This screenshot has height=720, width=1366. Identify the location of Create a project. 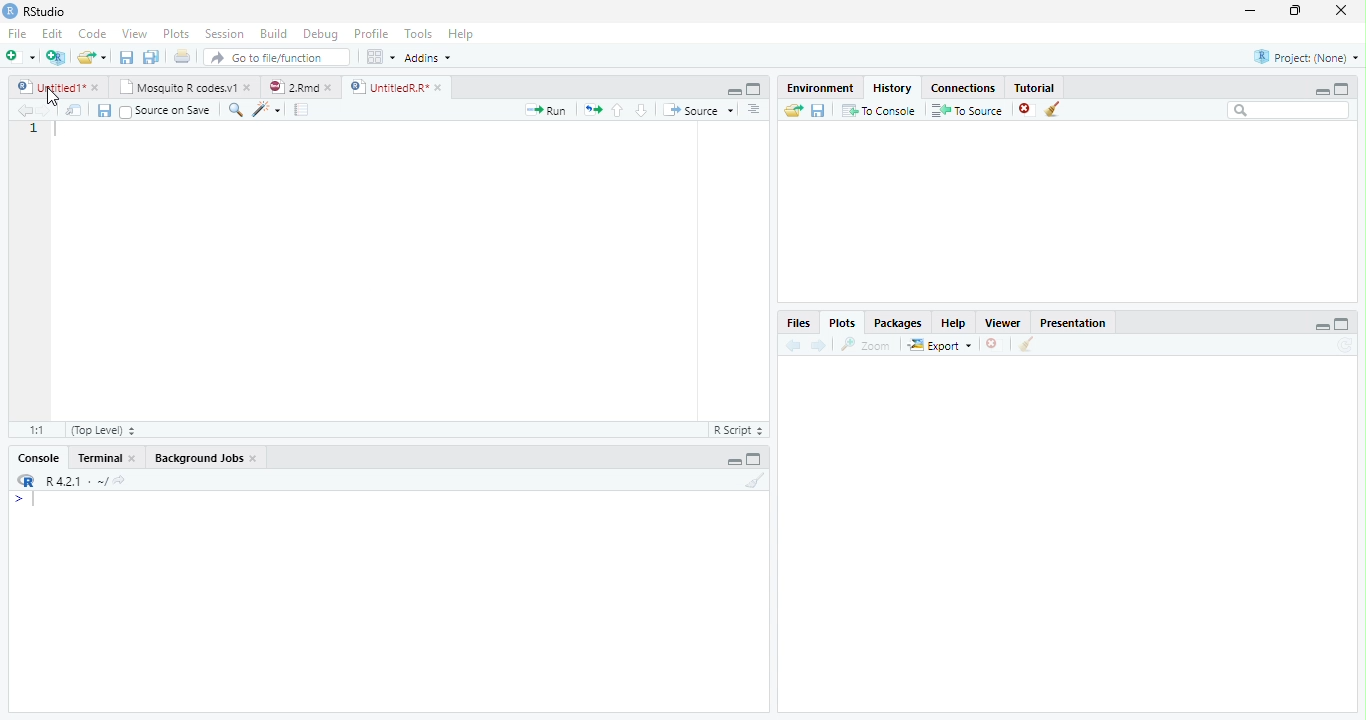
(55, 57).